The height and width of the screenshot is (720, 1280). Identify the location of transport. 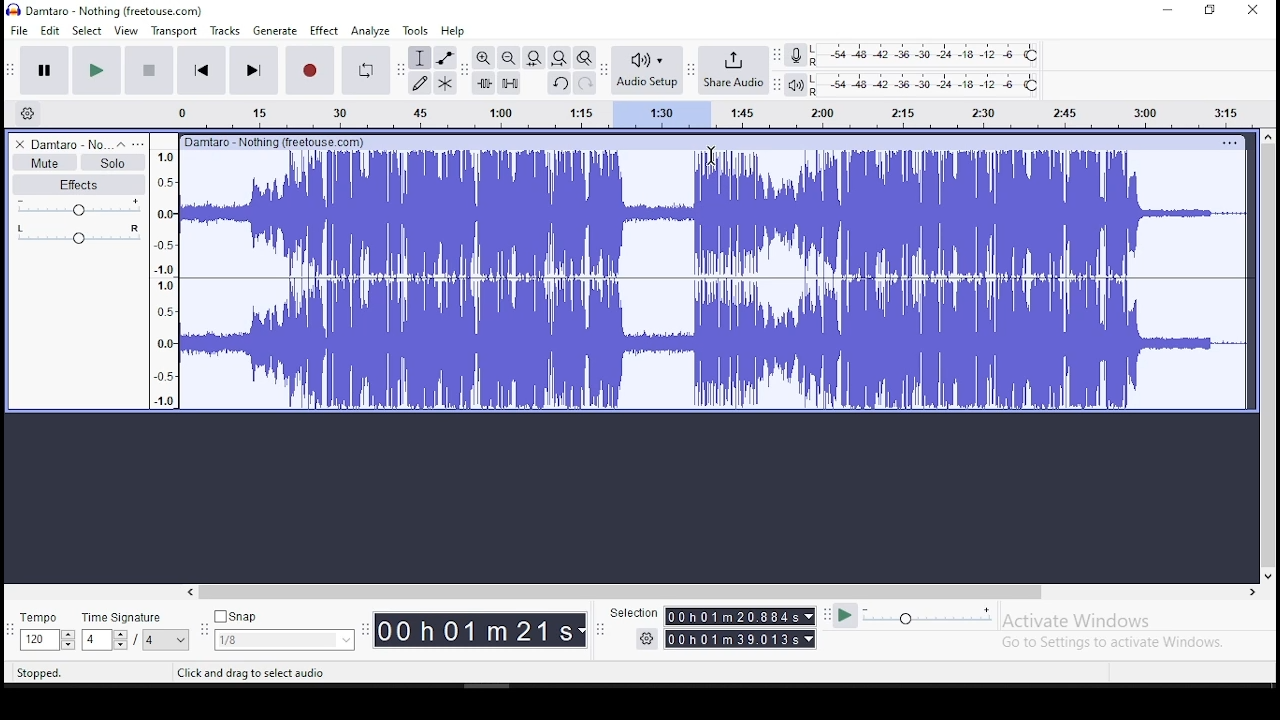
(174, 31).